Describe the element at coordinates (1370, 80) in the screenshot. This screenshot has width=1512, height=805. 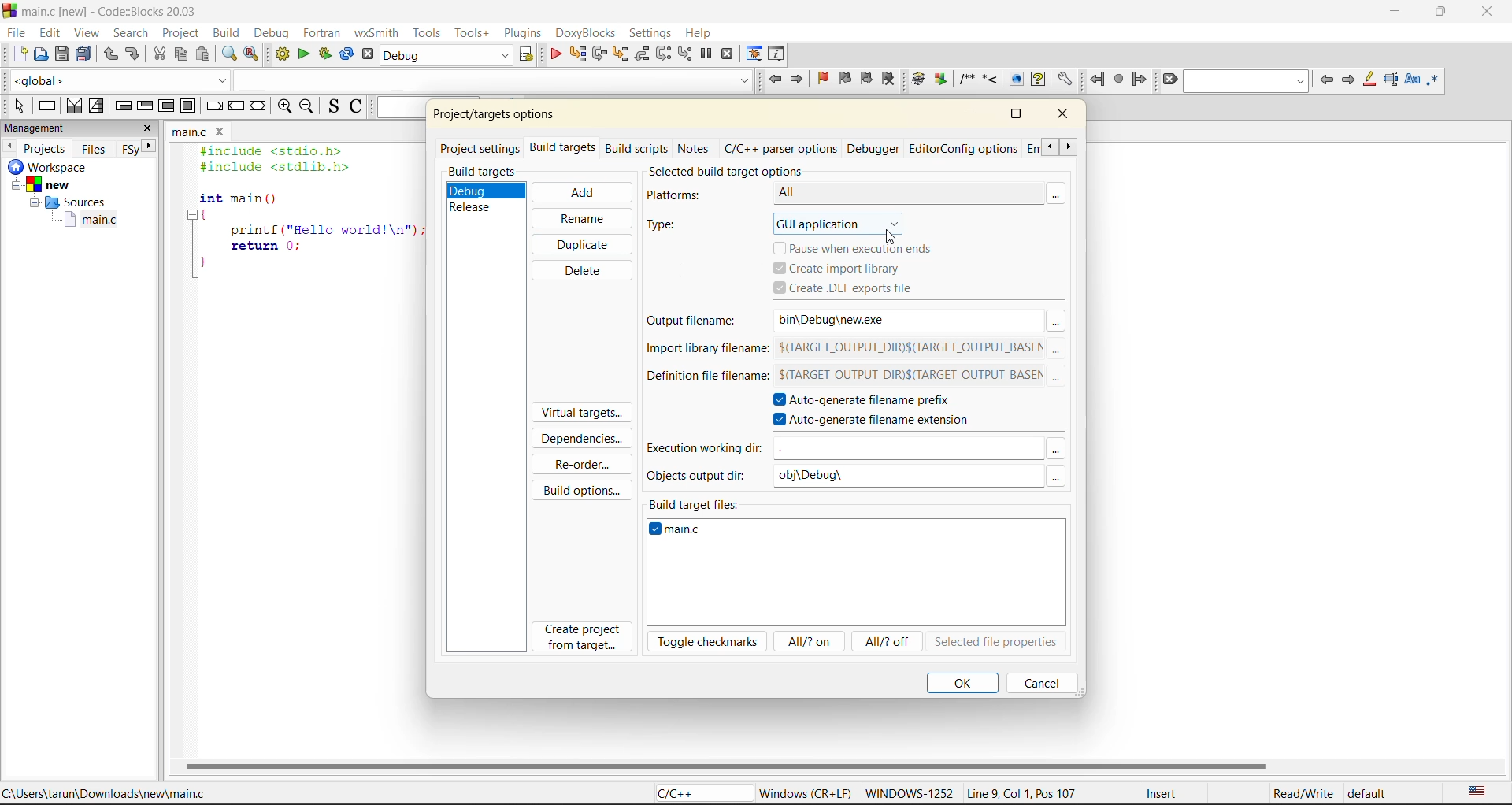
I see `higlight` at that location.